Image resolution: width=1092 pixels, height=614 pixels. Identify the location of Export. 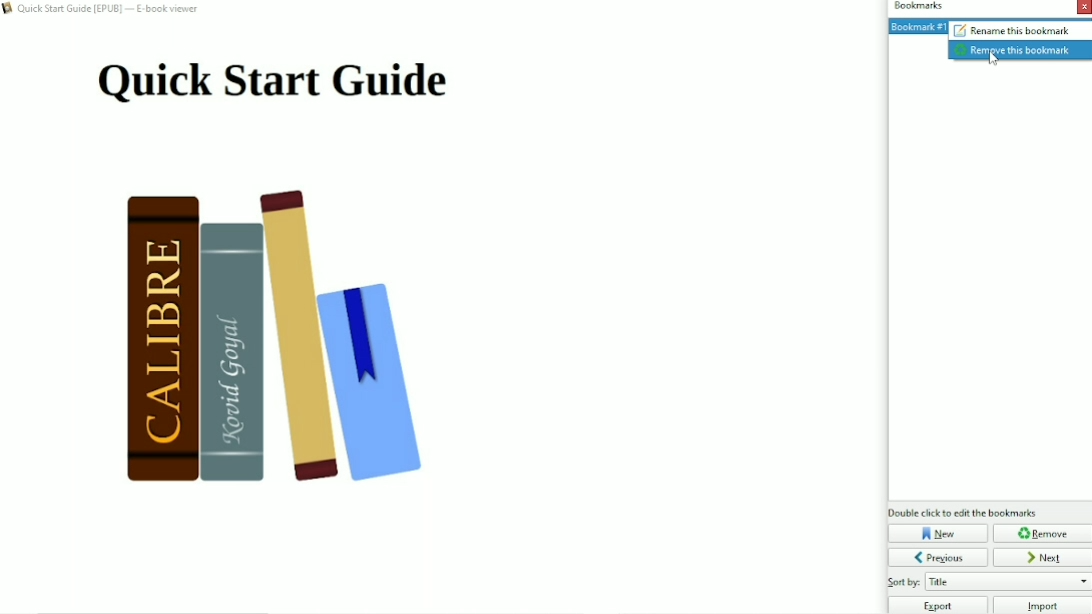
(938, 605).